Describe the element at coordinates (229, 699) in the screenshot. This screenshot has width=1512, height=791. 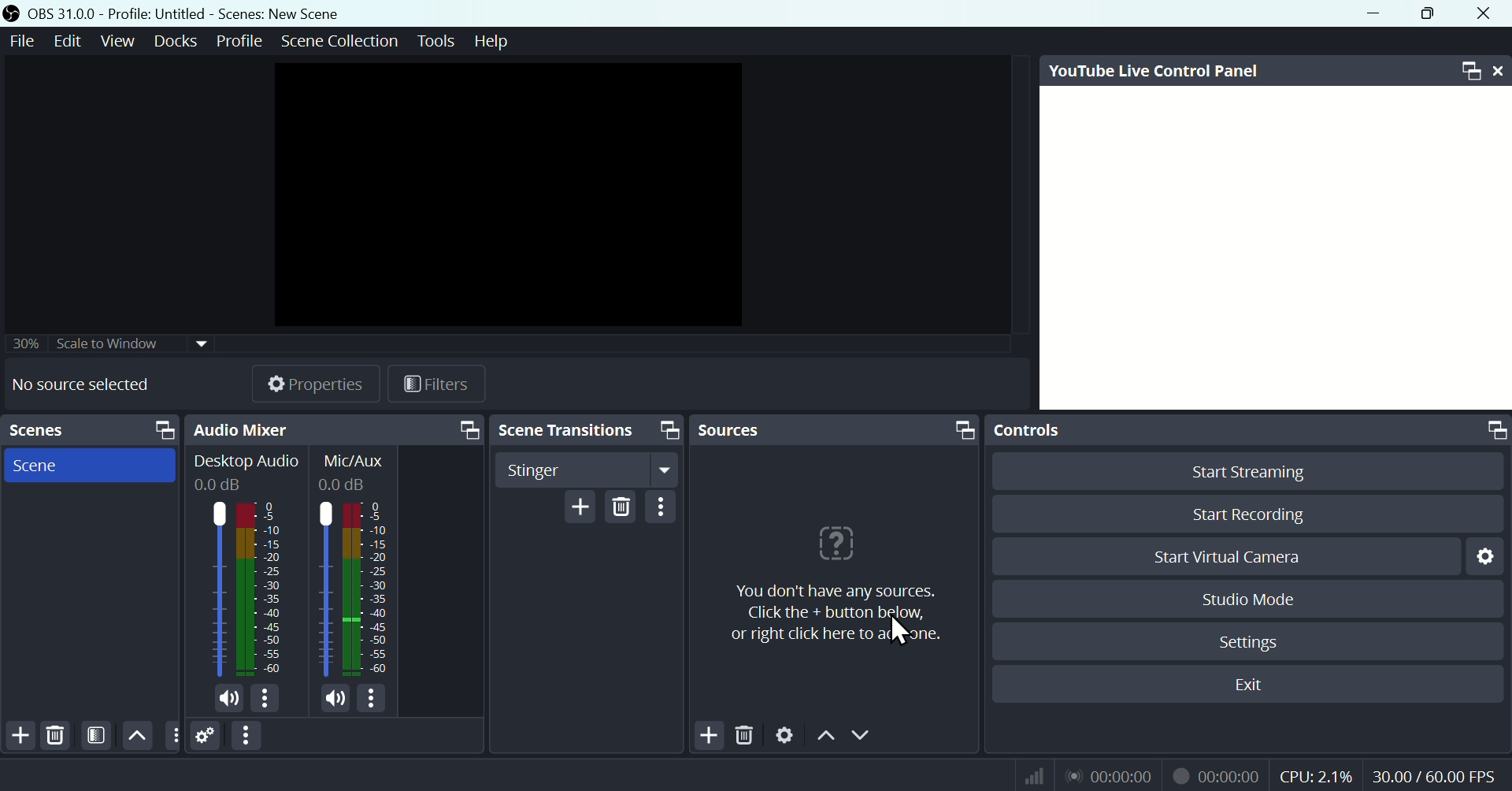
I see `mic` at that location.